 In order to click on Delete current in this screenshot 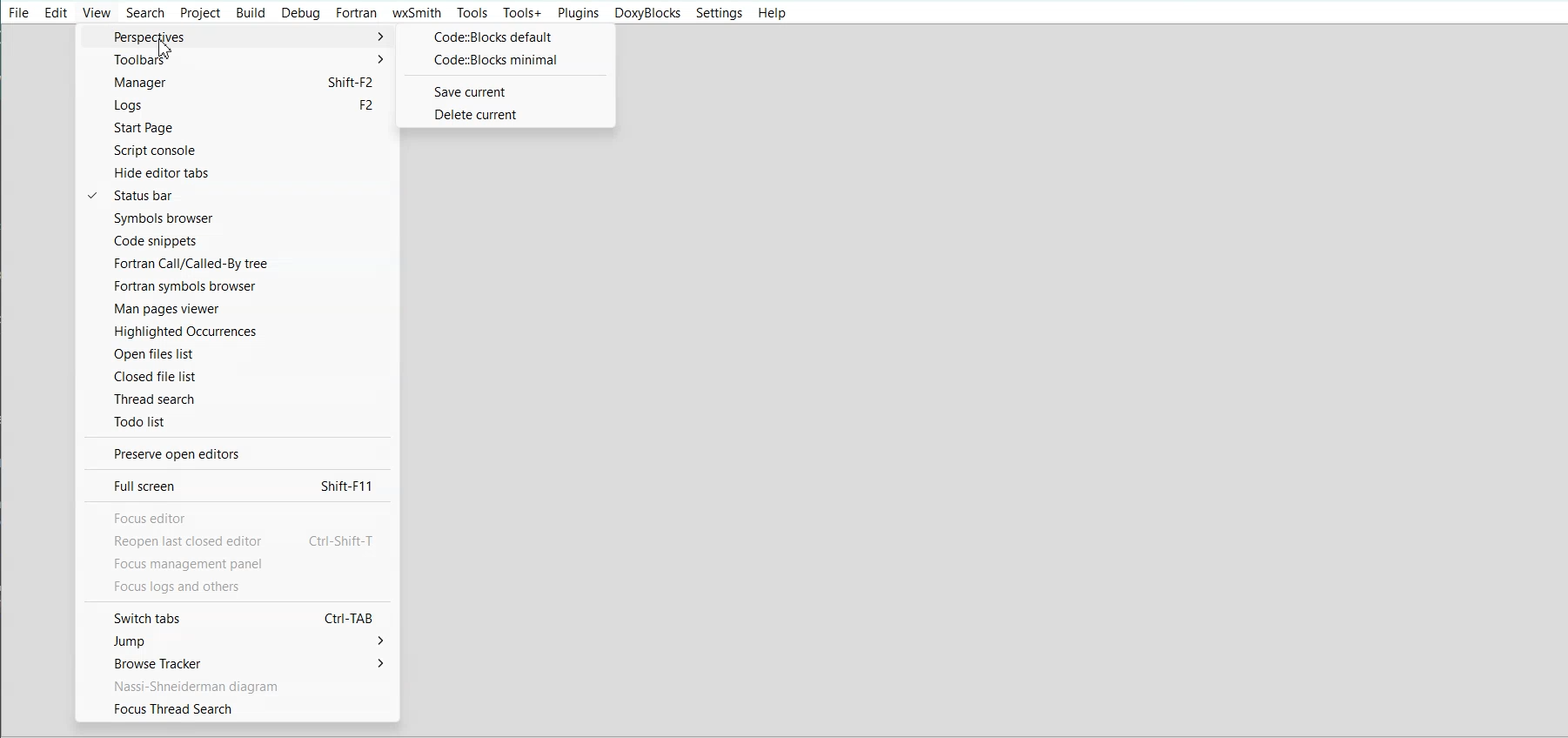, I will do `click(508, 116)`.